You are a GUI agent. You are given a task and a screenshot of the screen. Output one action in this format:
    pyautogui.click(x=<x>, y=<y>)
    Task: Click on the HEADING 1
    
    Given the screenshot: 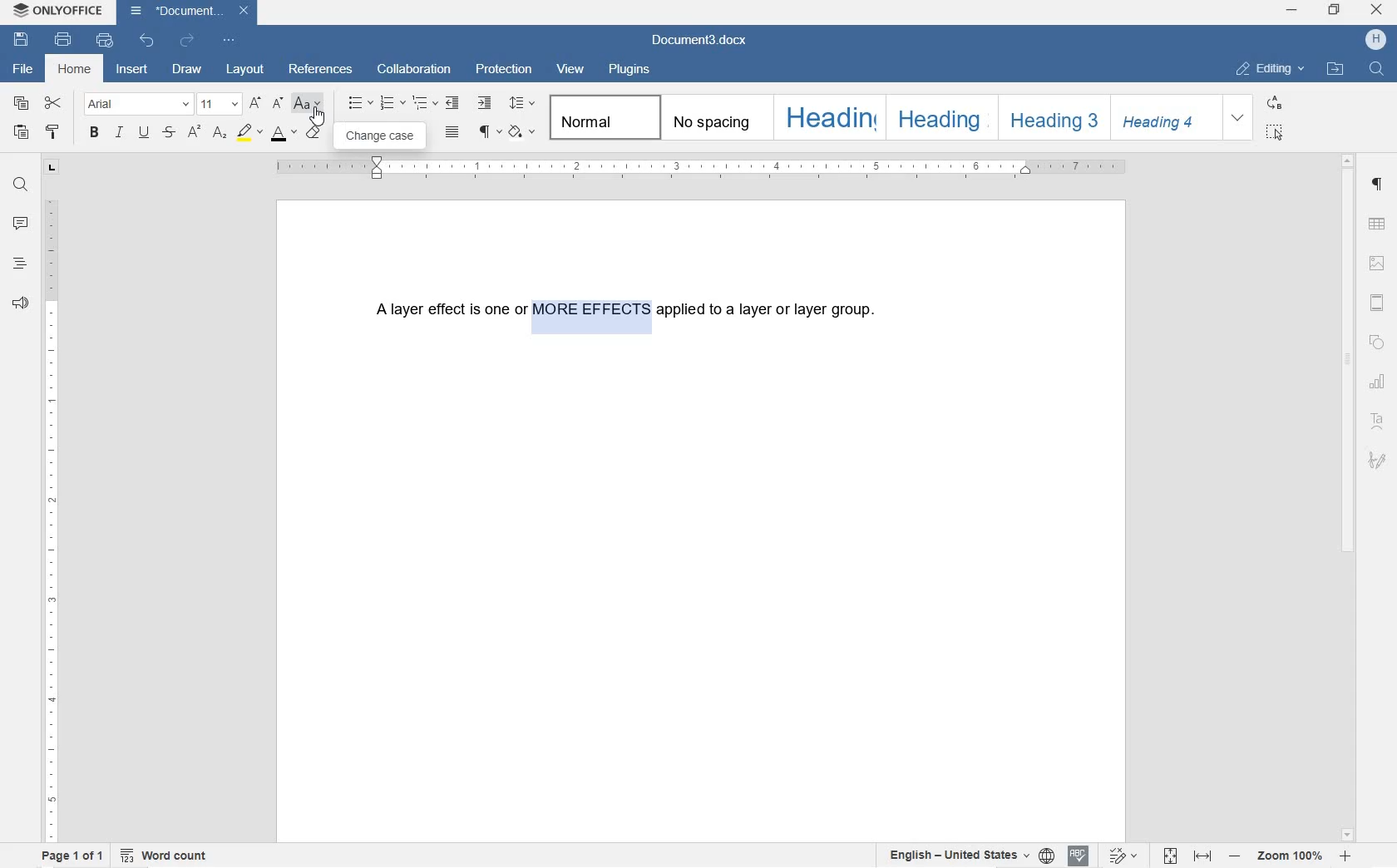 What is the action you would take?
    pyautogui.click(x=827, y=116)
    